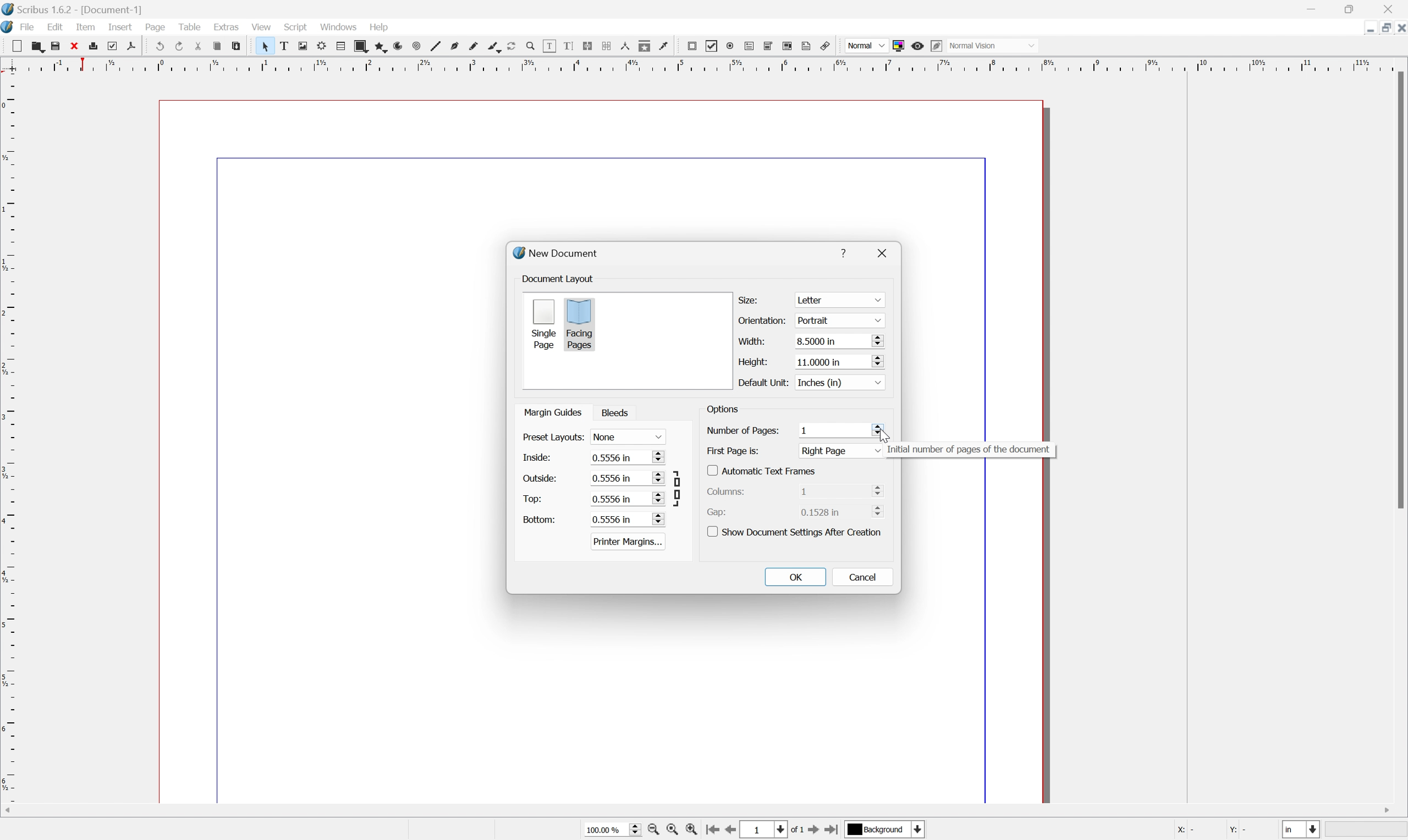 The height and width of the screenshot is (840, 1408). What do you see at coordinates (97, 46) in the screenshot?
I see `Print` at bounding box center [97, 46].